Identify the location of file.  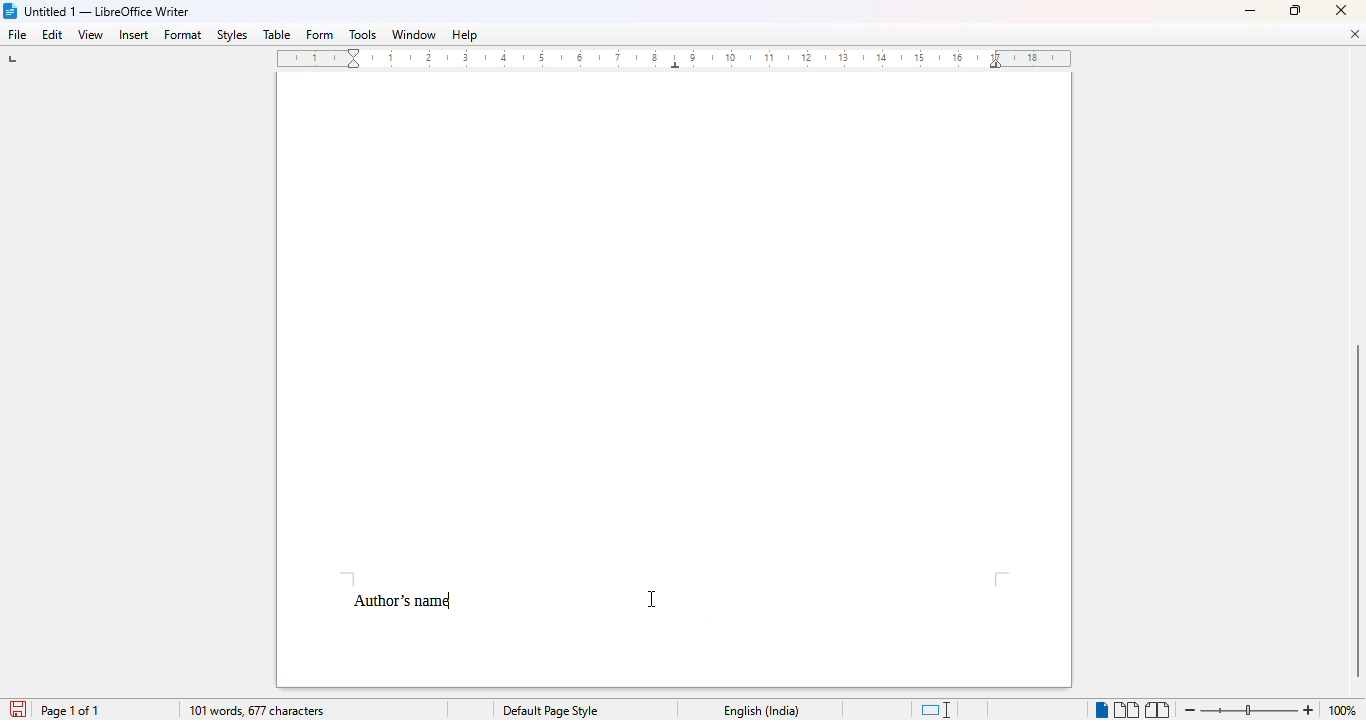
(16, 34).